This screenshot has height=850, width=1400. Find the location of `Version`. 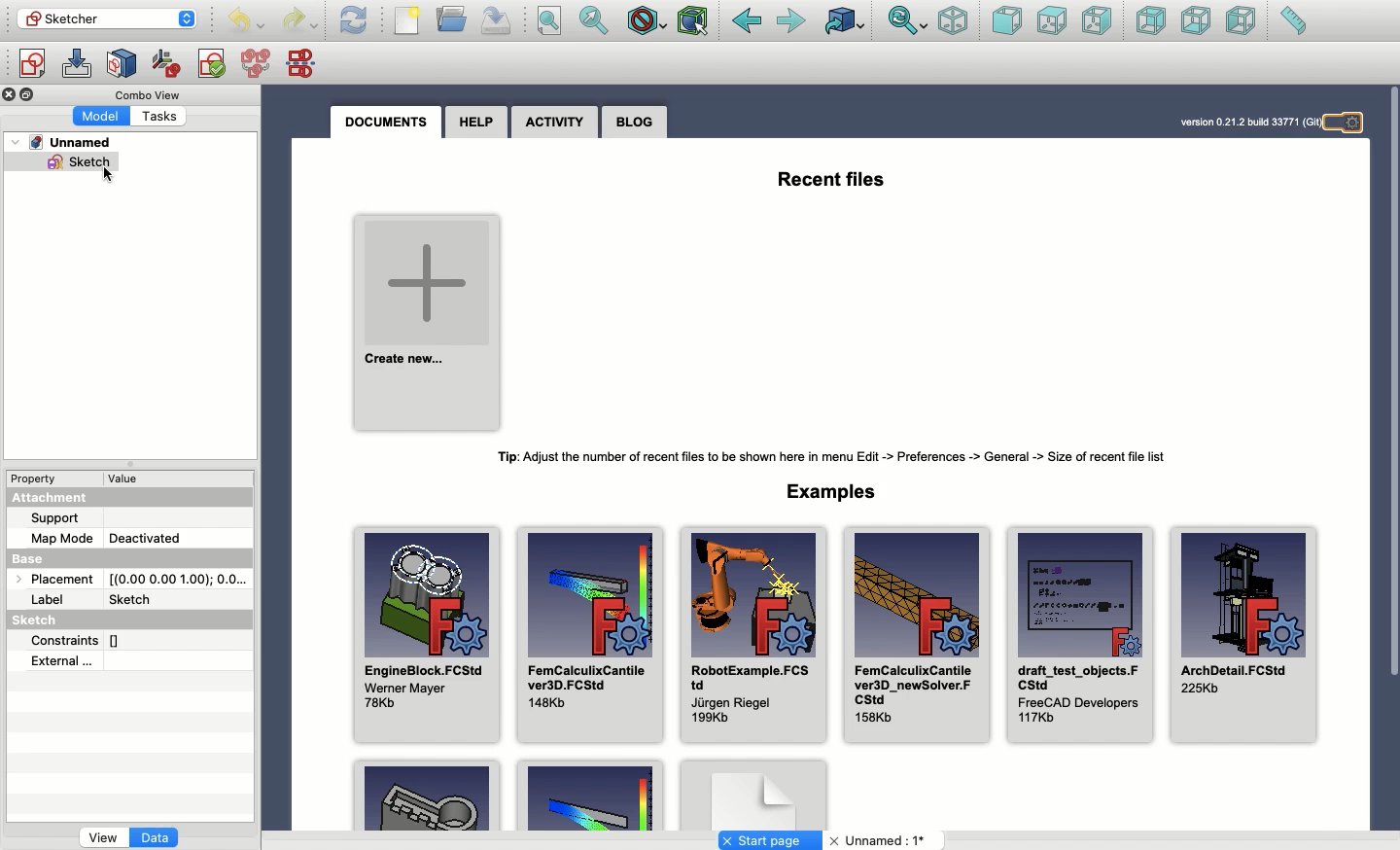

Version is located at coordinates (1238, 123).